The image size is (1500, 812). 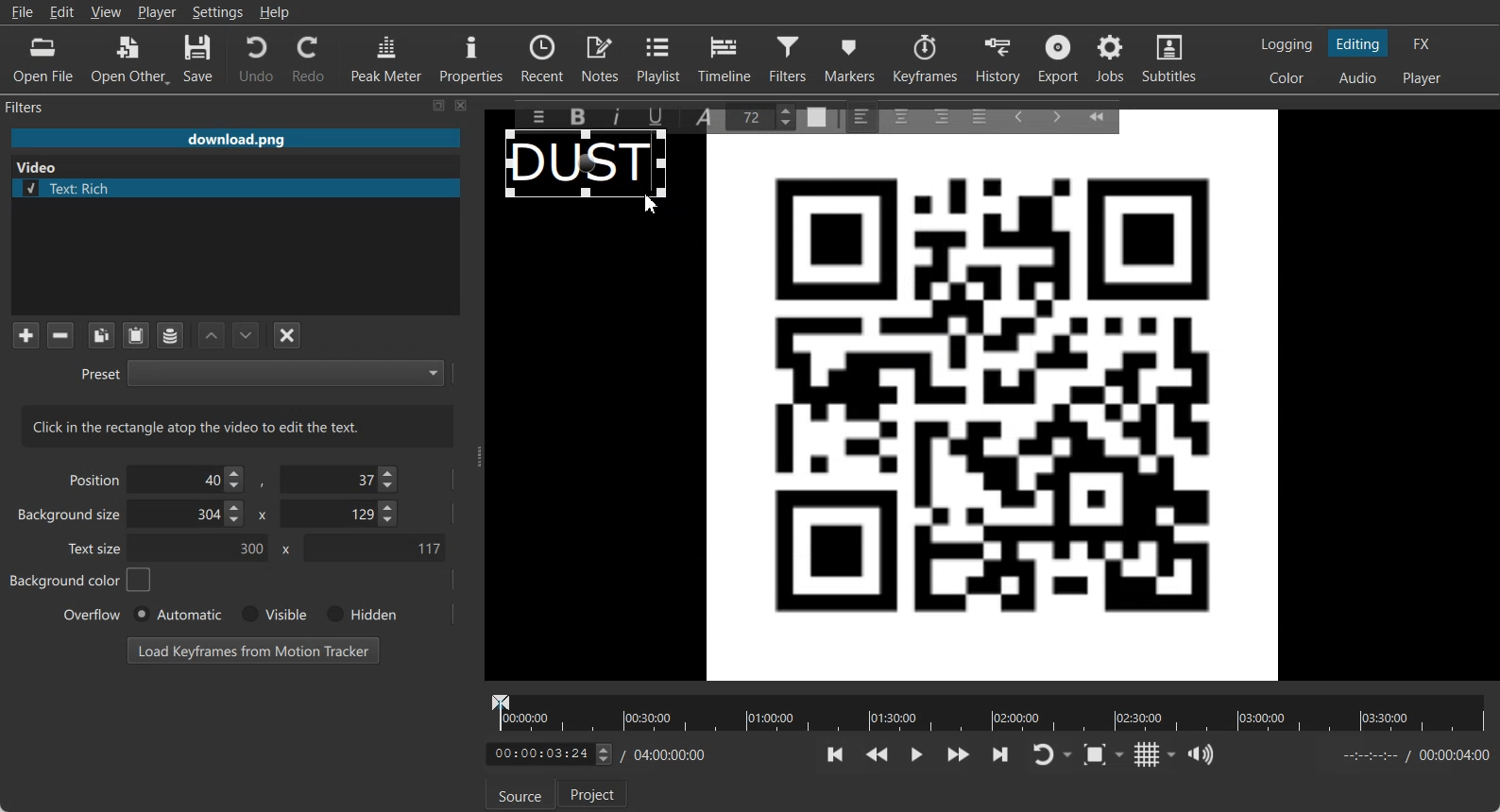 What do you see at coordinates (1000, 59) in the screenshot?
I see `History` at bounding box center [1000, 59].